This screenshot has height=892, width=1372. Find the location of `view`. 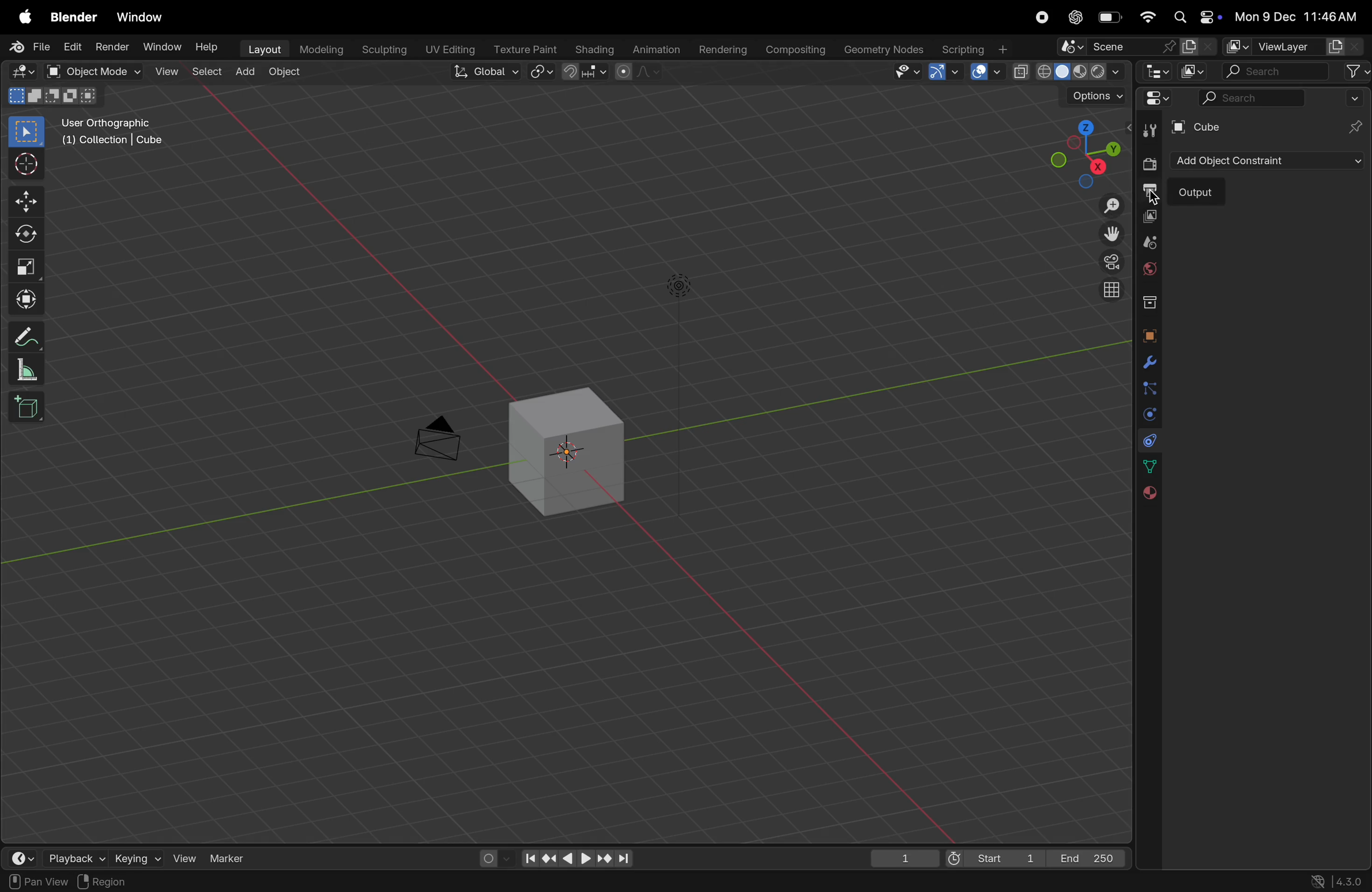

view is located at coordinates (184, 856).